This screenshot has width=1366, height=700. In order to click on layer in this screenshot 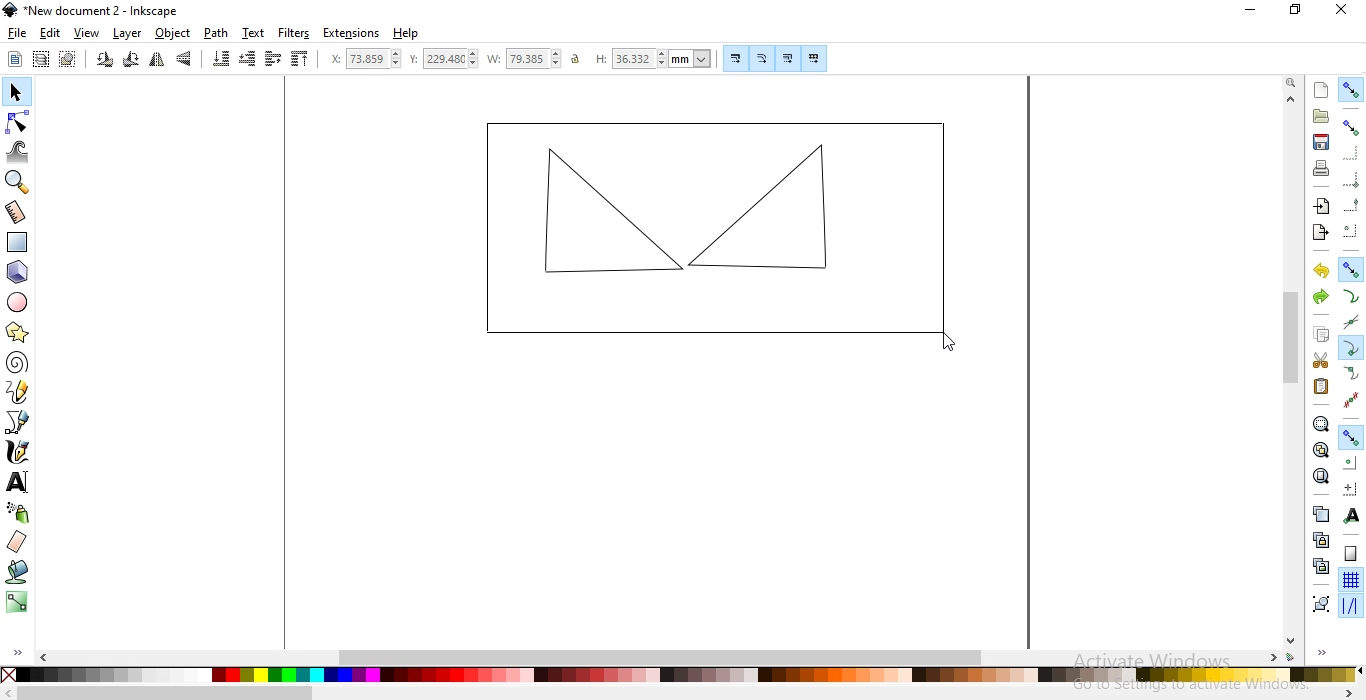, I will do `click(128, 33)`.